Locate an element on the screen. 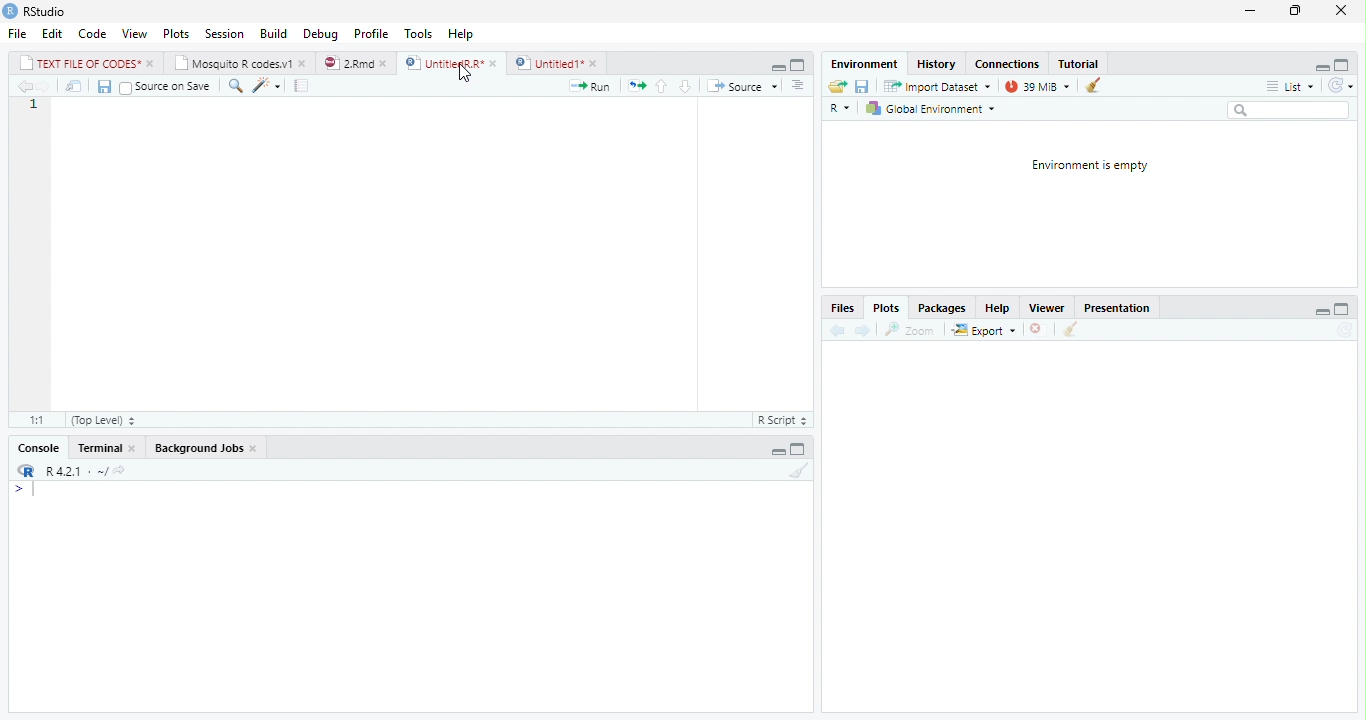 This screenshot has height=720, width=1366. R is located at coordinates (840, 106).